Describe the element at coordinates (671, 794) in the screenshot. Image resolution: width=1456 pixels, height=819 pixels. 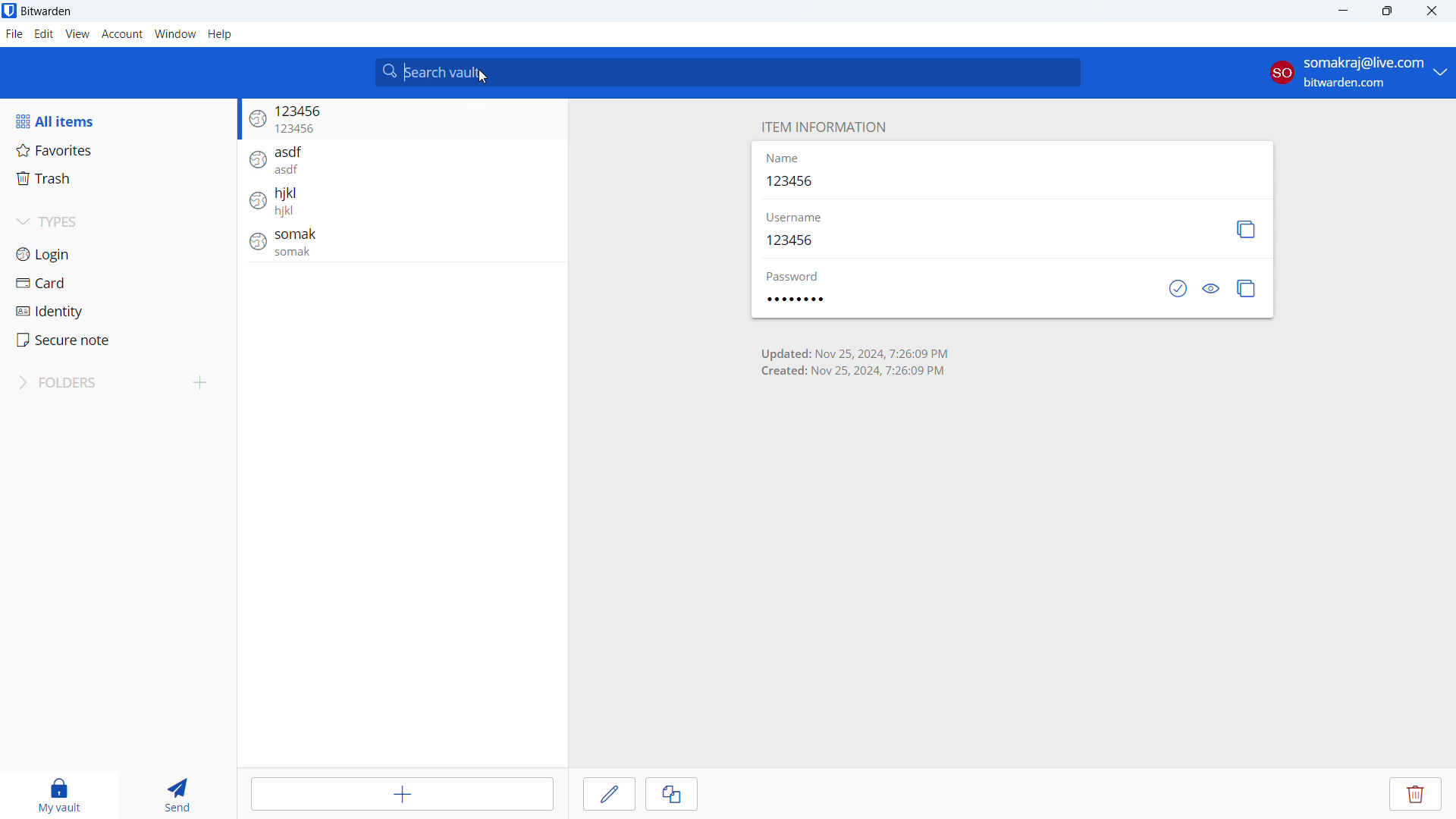
I see `clone` at that location.